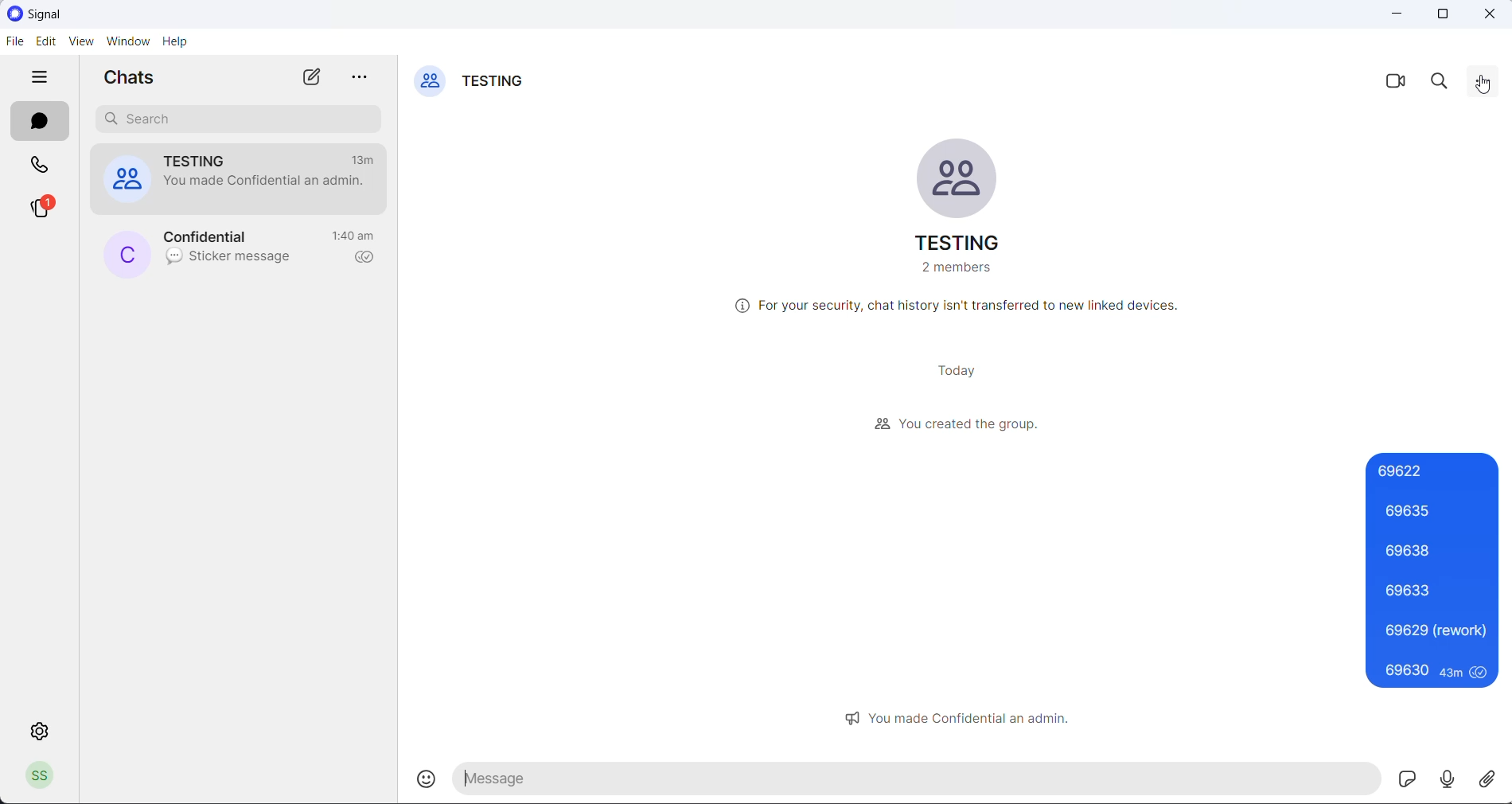  I want to click on new chat, so click(310, 77).